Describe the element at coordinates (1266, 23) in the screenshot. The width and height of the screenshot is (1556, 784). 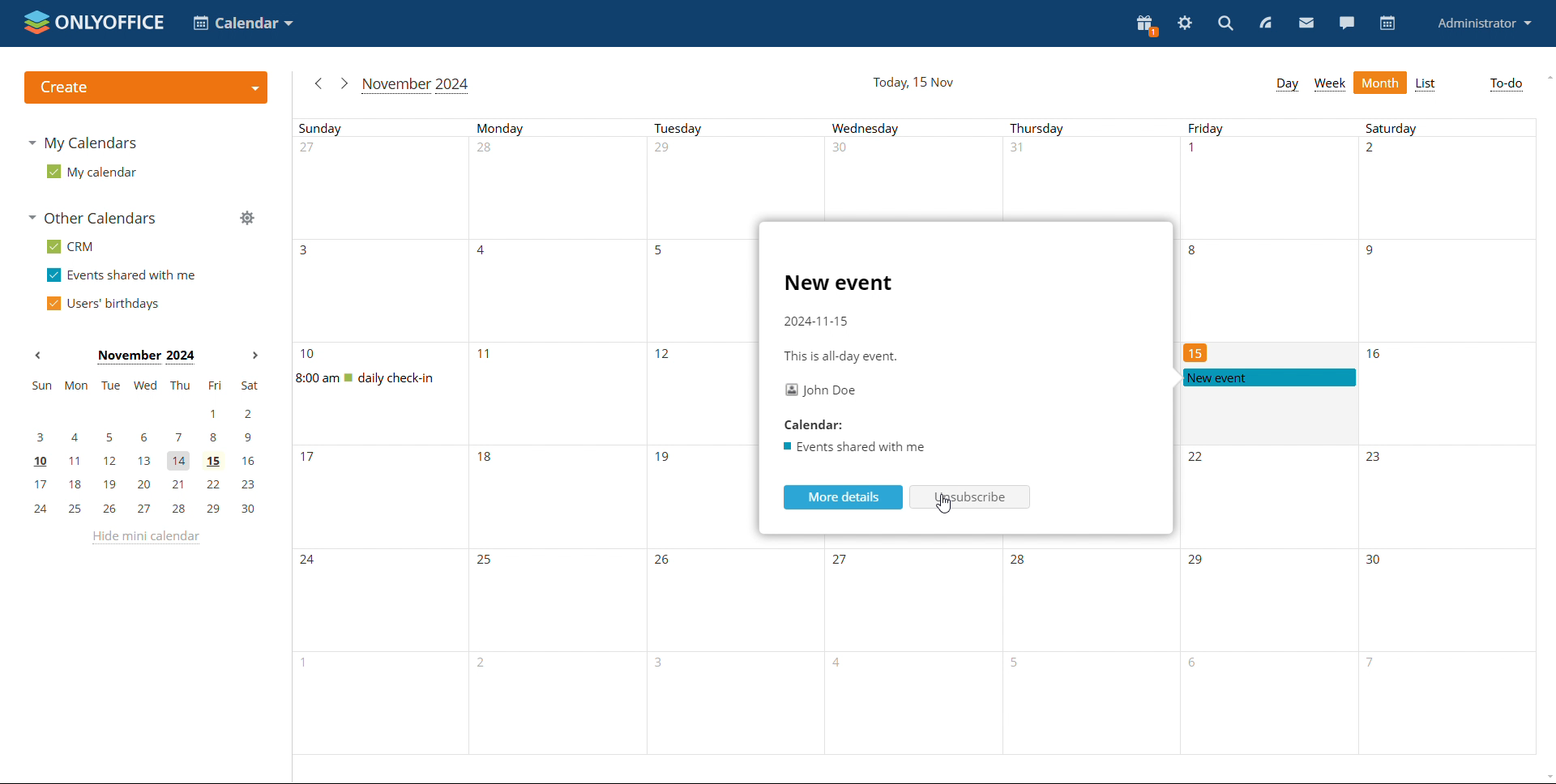
I see `feed` at that location.